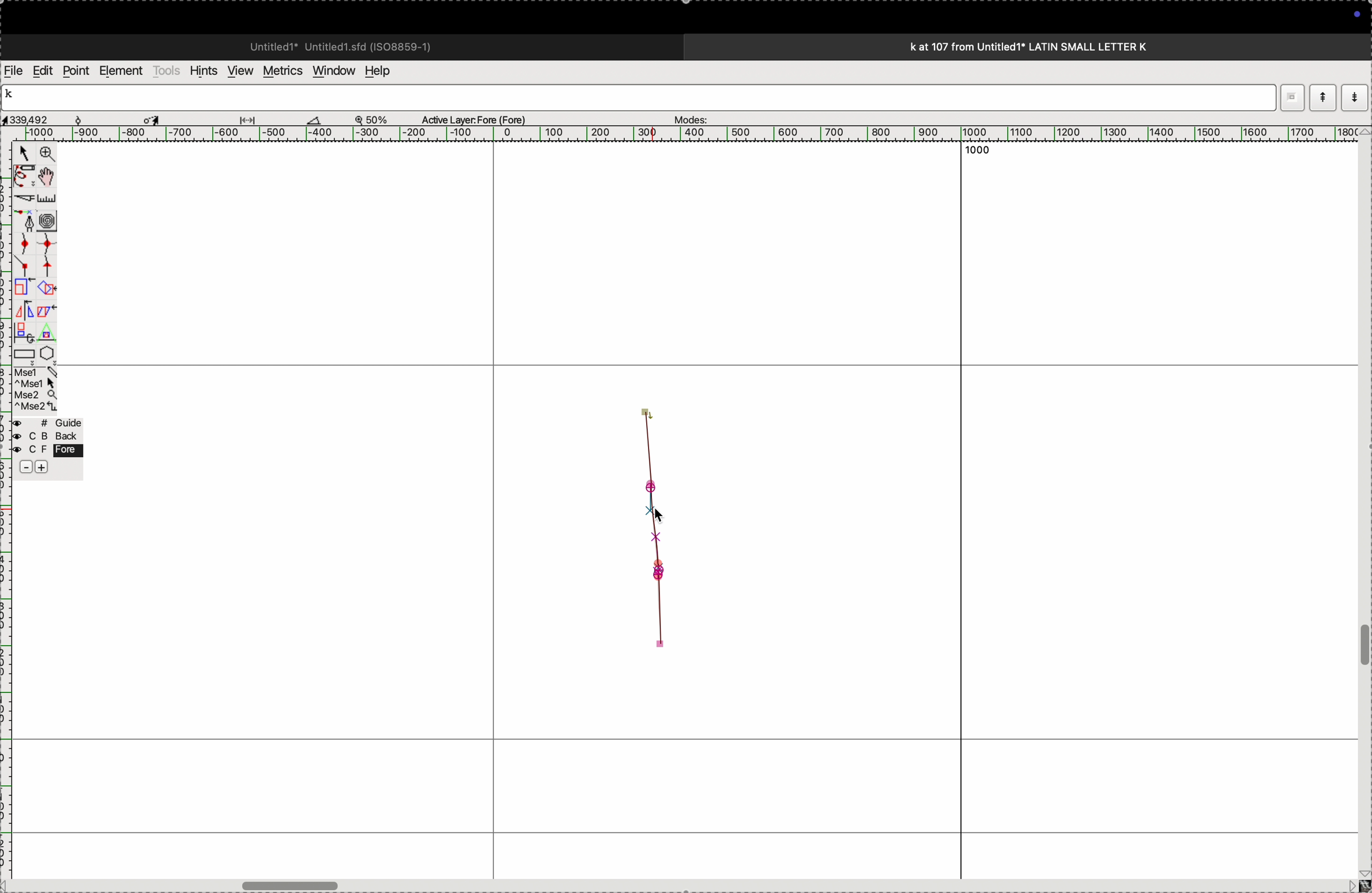 The width and height of the screenshot is (1372, 893). I want to click on restore down, so click(1291, 100).